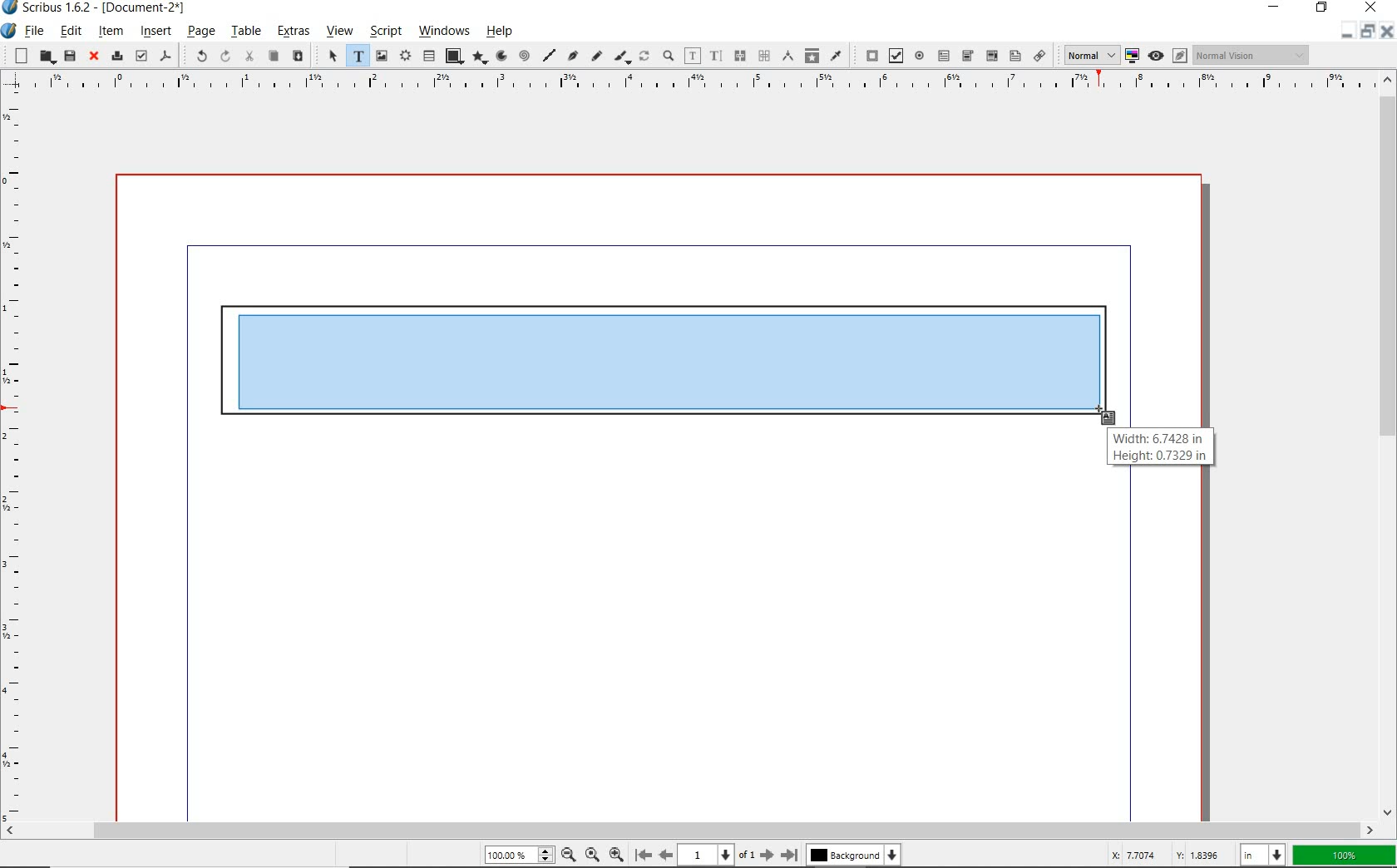 Image resolution: width=1397 pixels, height=868 pixels. Describe the element at coordinates (502, 31) in the screenshot. I see `help` at that location.